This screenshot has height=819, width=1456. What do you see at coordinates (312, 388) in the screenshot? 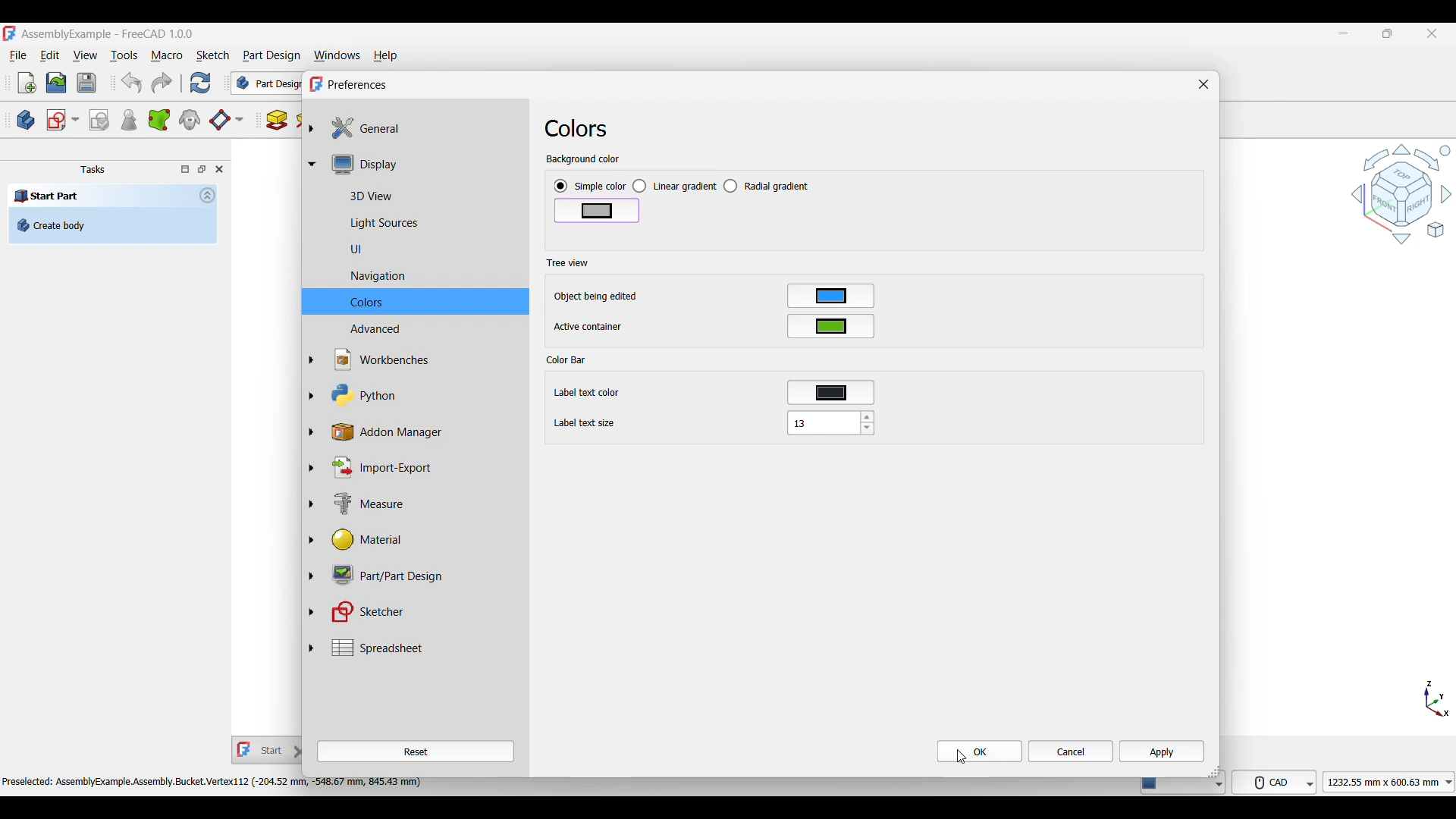
I see `Expand/Collapse` at bounding box center [312, 388].